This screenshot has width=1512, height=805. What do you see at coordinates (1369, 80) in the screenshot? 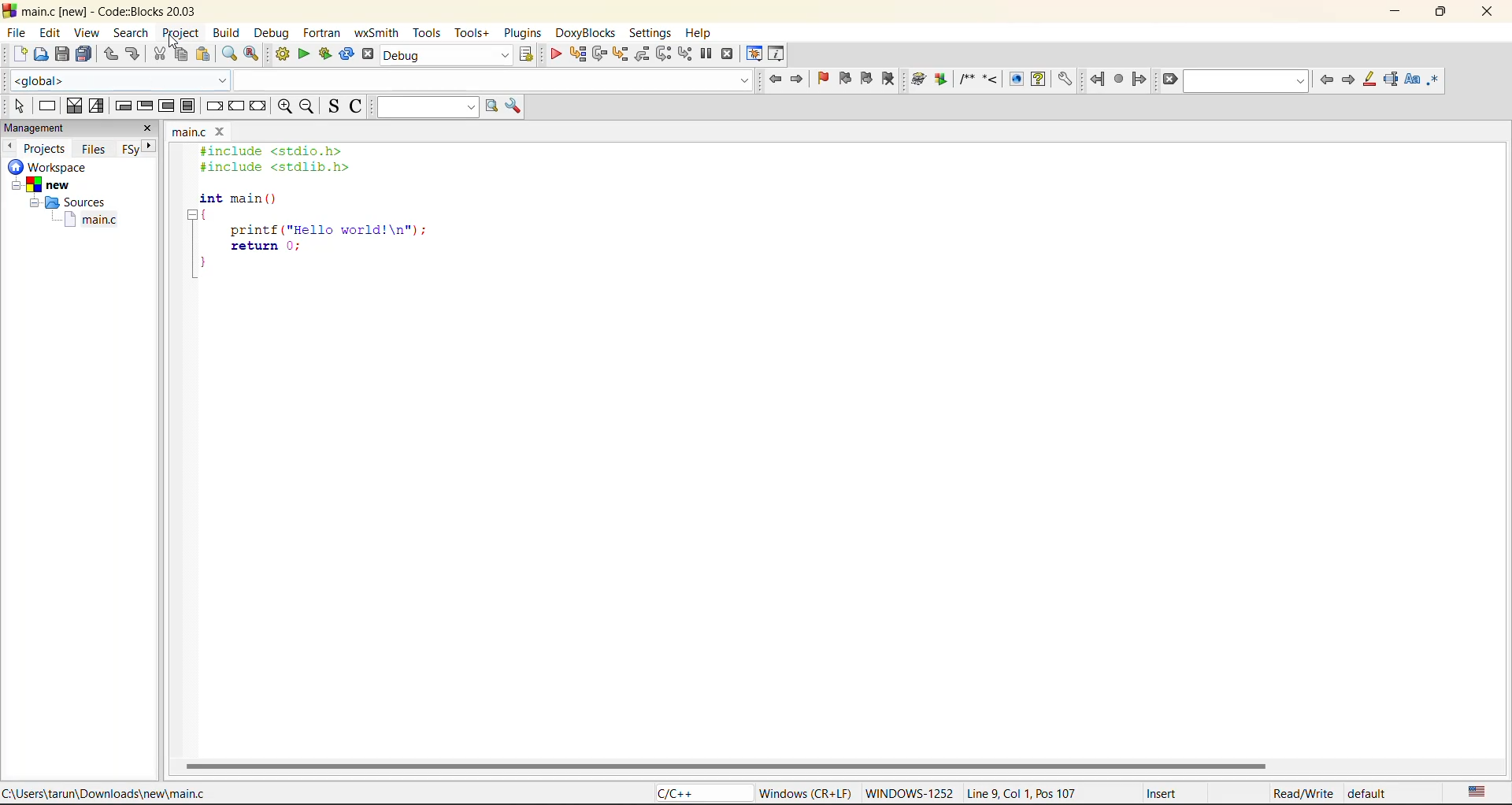
I see `highlight` at bounding box center [1369, 80].